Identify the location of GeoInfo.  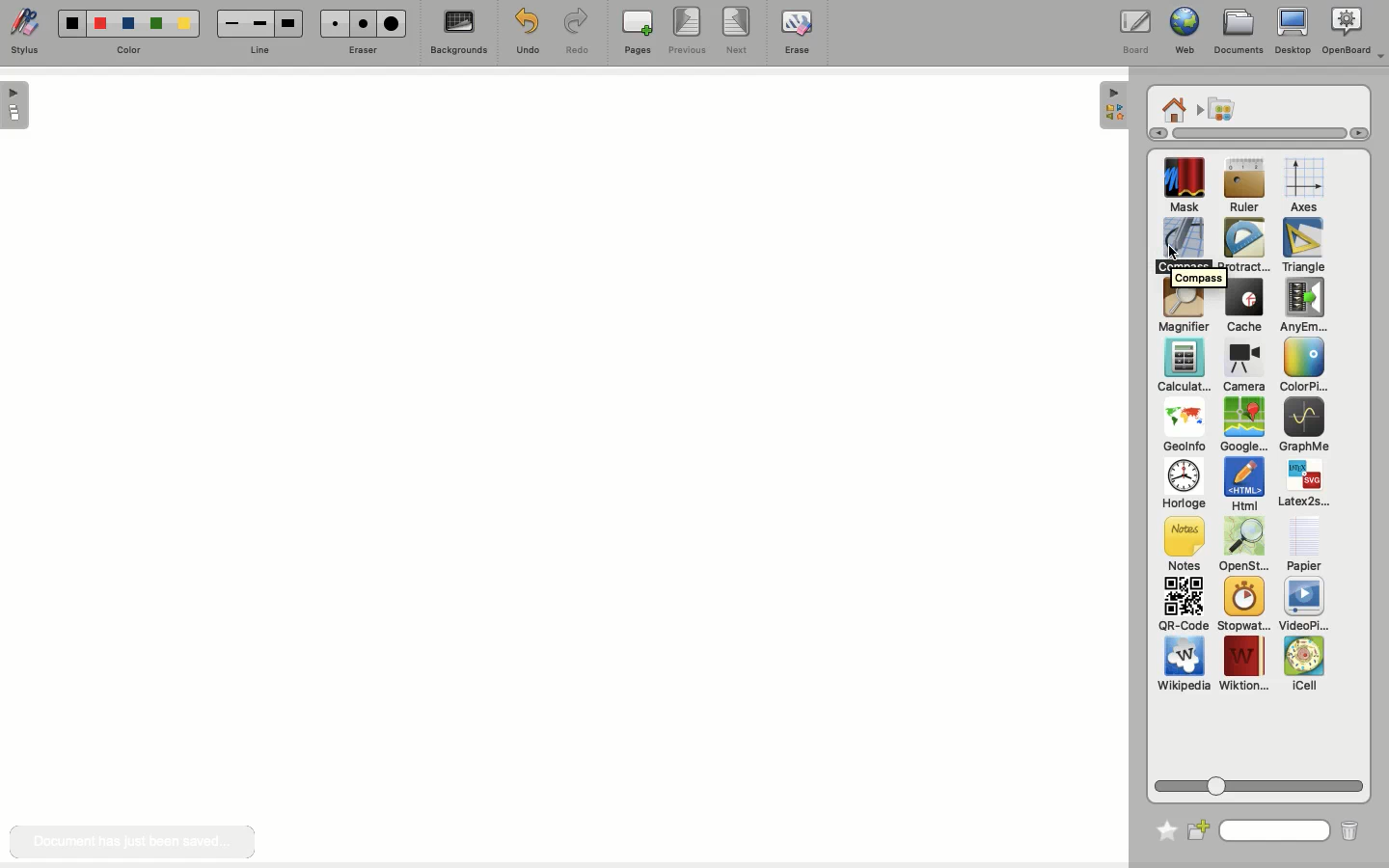
(1184, 430).